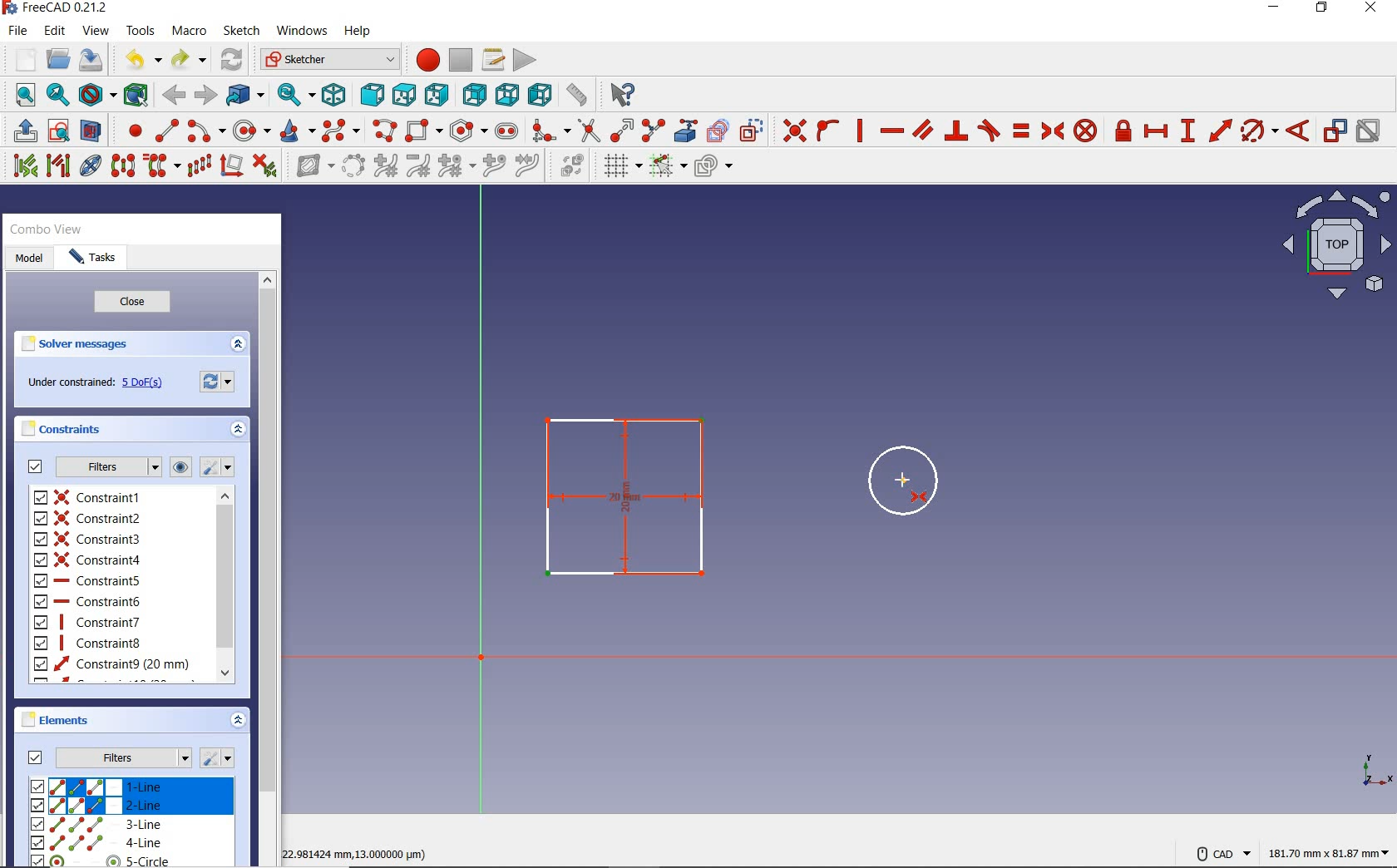  Describe the element at coordinates (508, 96) in the screenshot. I see `bottom` at that location.